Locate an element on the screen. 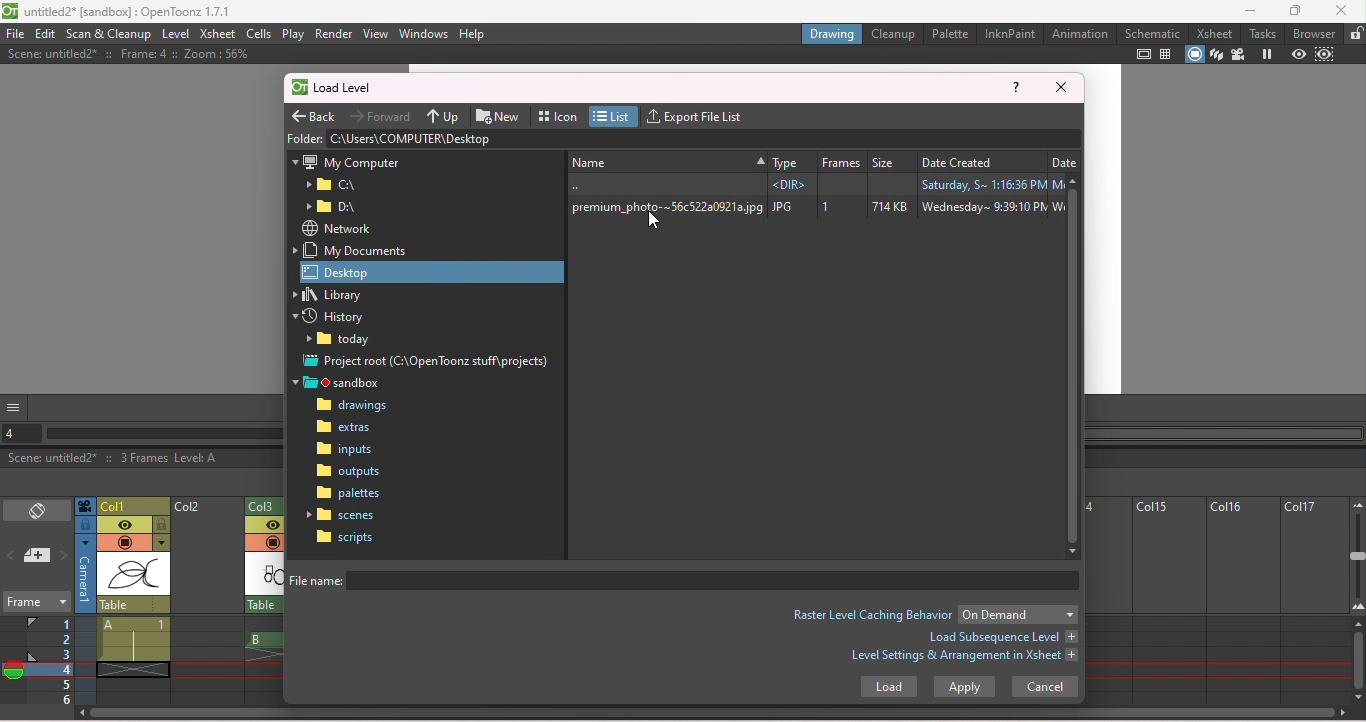 This screenshot has height=722, width=1366. file name  is located at coordinates (688, 580).